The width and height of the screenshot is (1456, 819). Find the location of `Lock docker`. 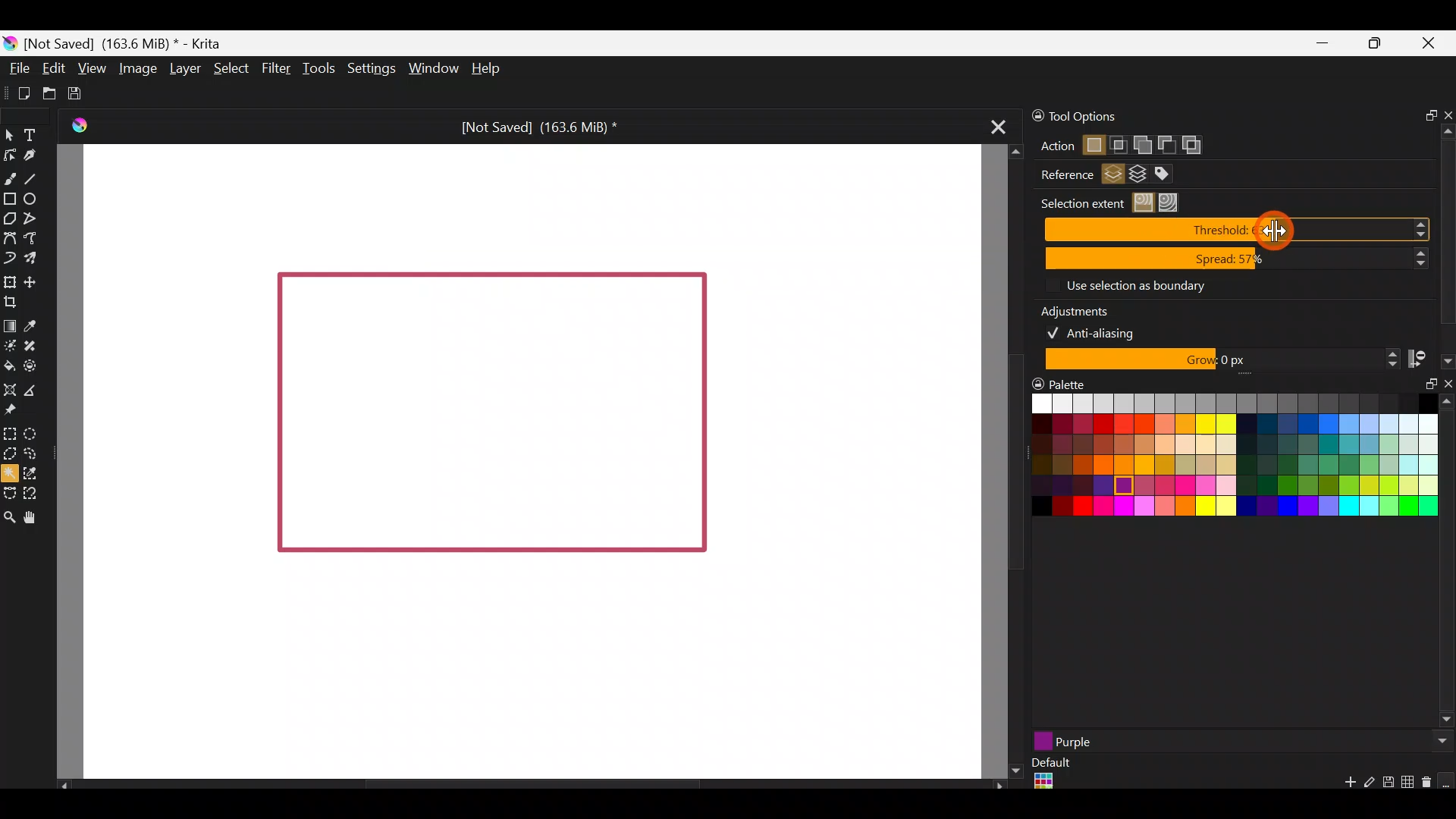

Lock docker is located at coordinates (1030, 116).